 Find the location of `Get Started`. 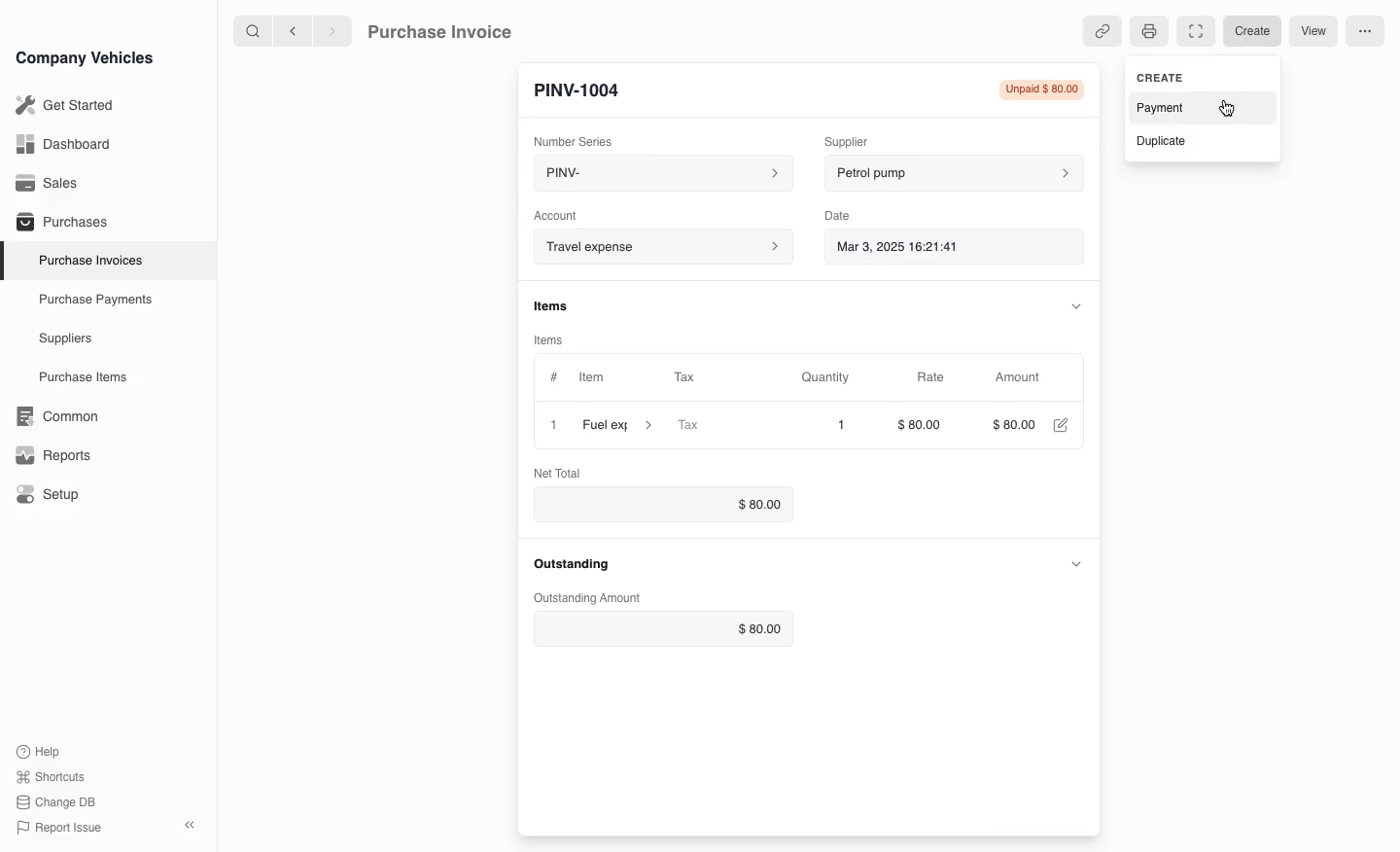

Get Started is located at coordinates (61, 105).